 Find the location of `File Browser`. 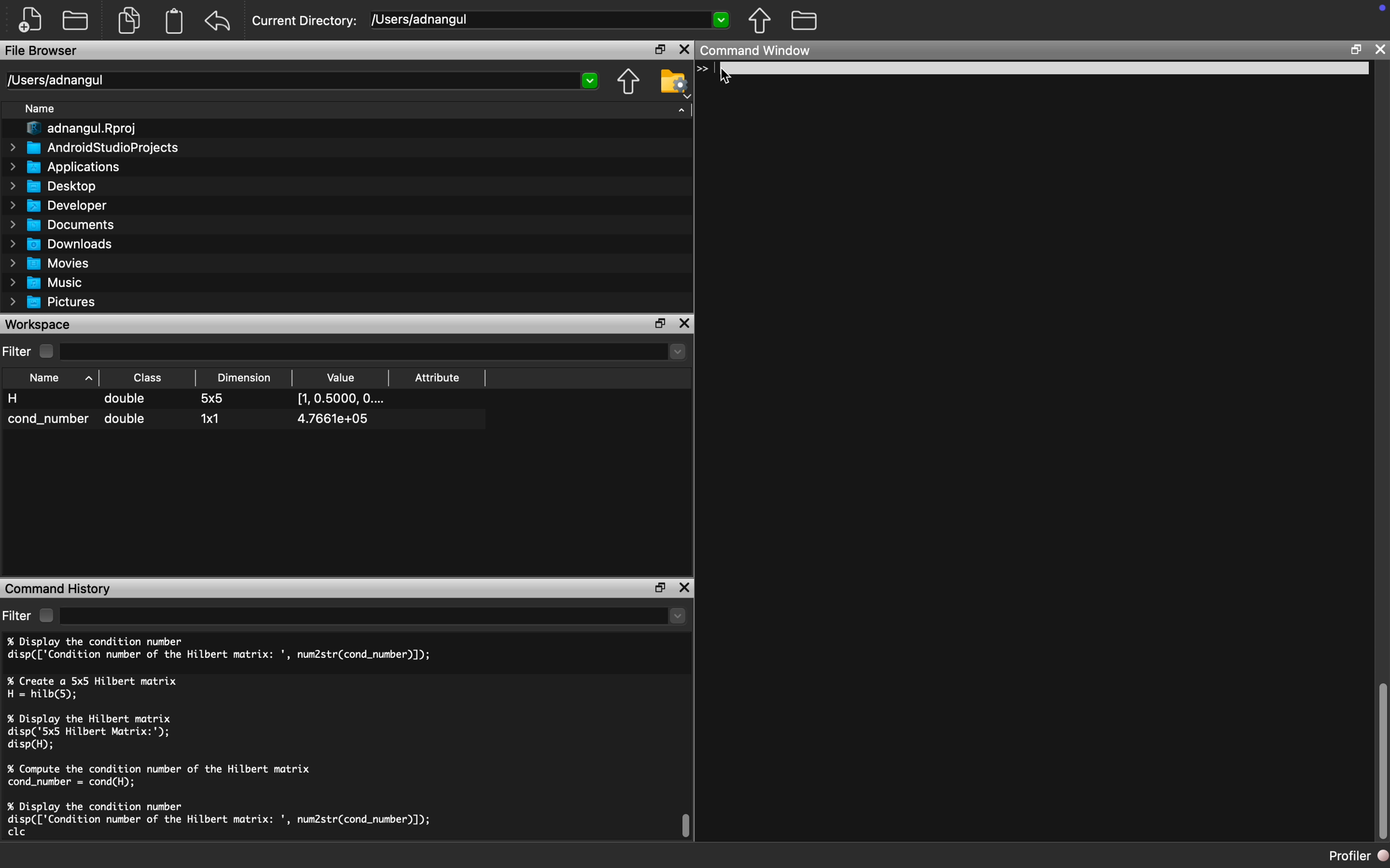

File Browser is located at coordinates (43, 50).